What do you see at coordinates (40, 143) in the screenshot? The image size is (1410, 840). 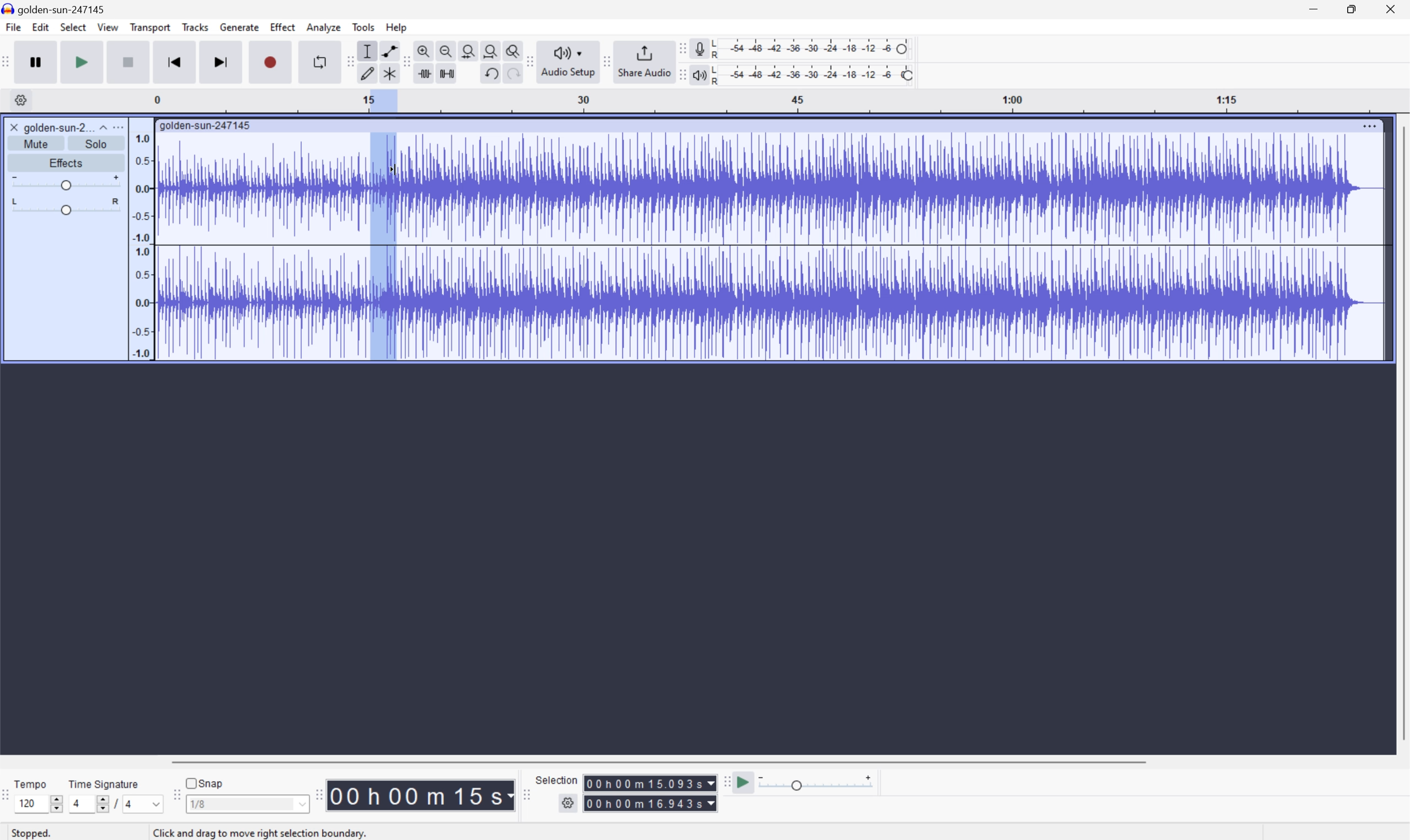 I see `Mute` at bounding box center [40, 143].